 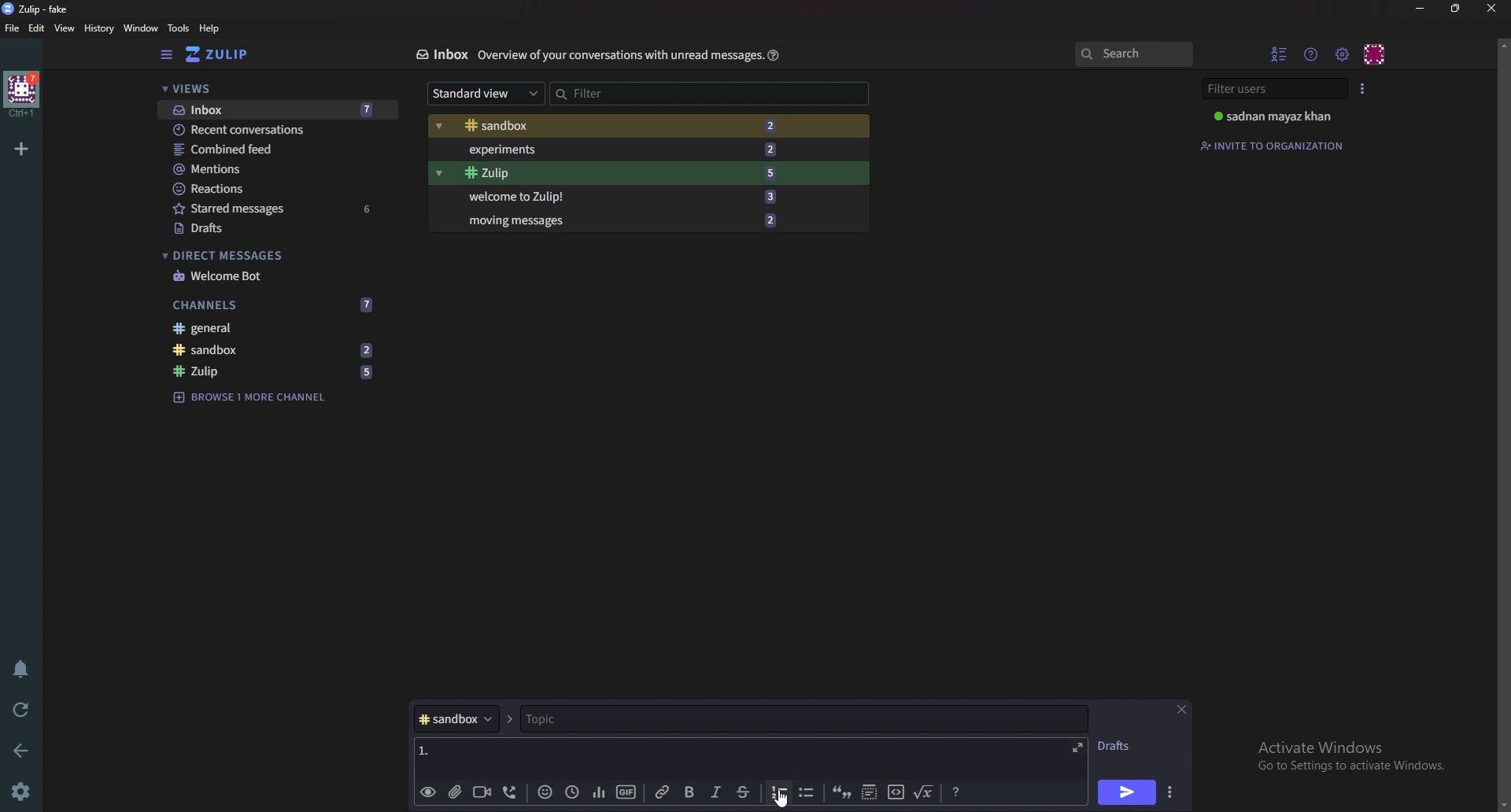 I want to click on Reload, so click(x=24, y=708).